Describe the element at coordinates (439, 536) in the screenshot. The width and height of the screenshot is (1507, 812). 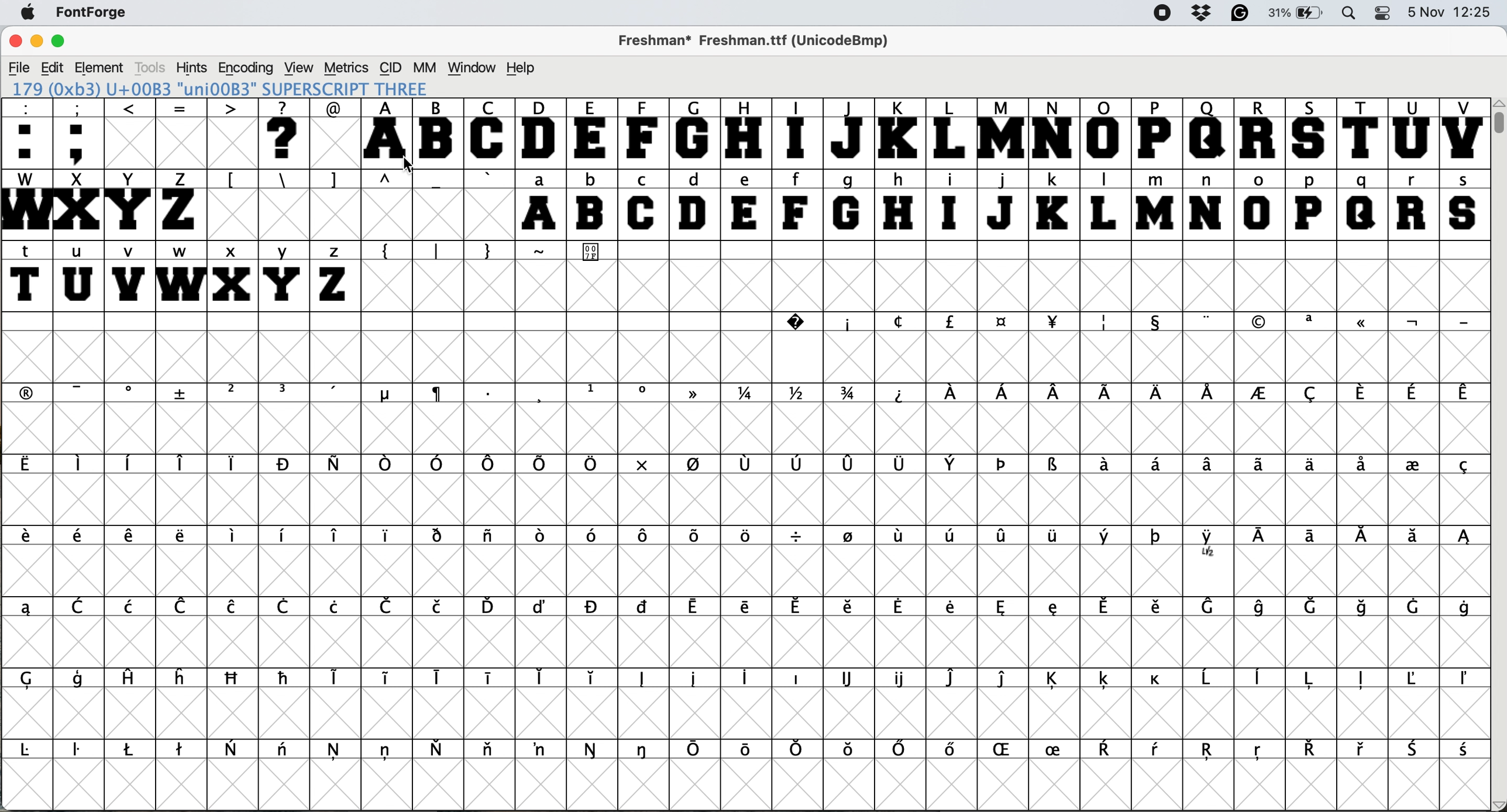
I see `symbol` at that location.